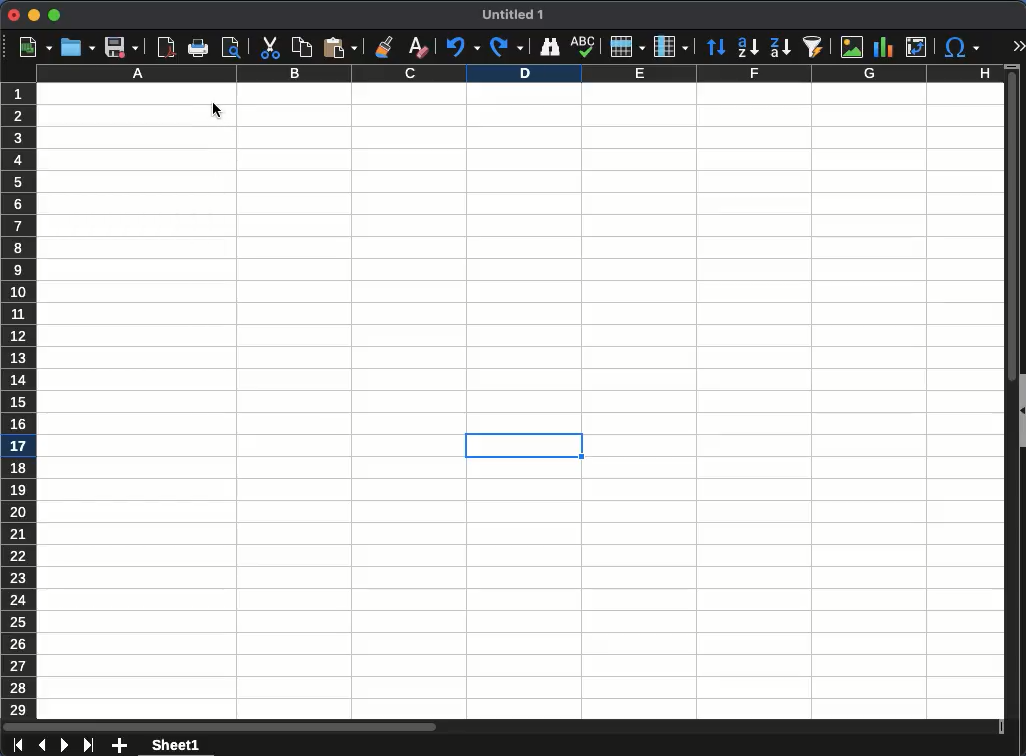  What do you see at coordinates (417, 45) in the screenshot?
I see `clear formatting` at bounding box center [417, 45].